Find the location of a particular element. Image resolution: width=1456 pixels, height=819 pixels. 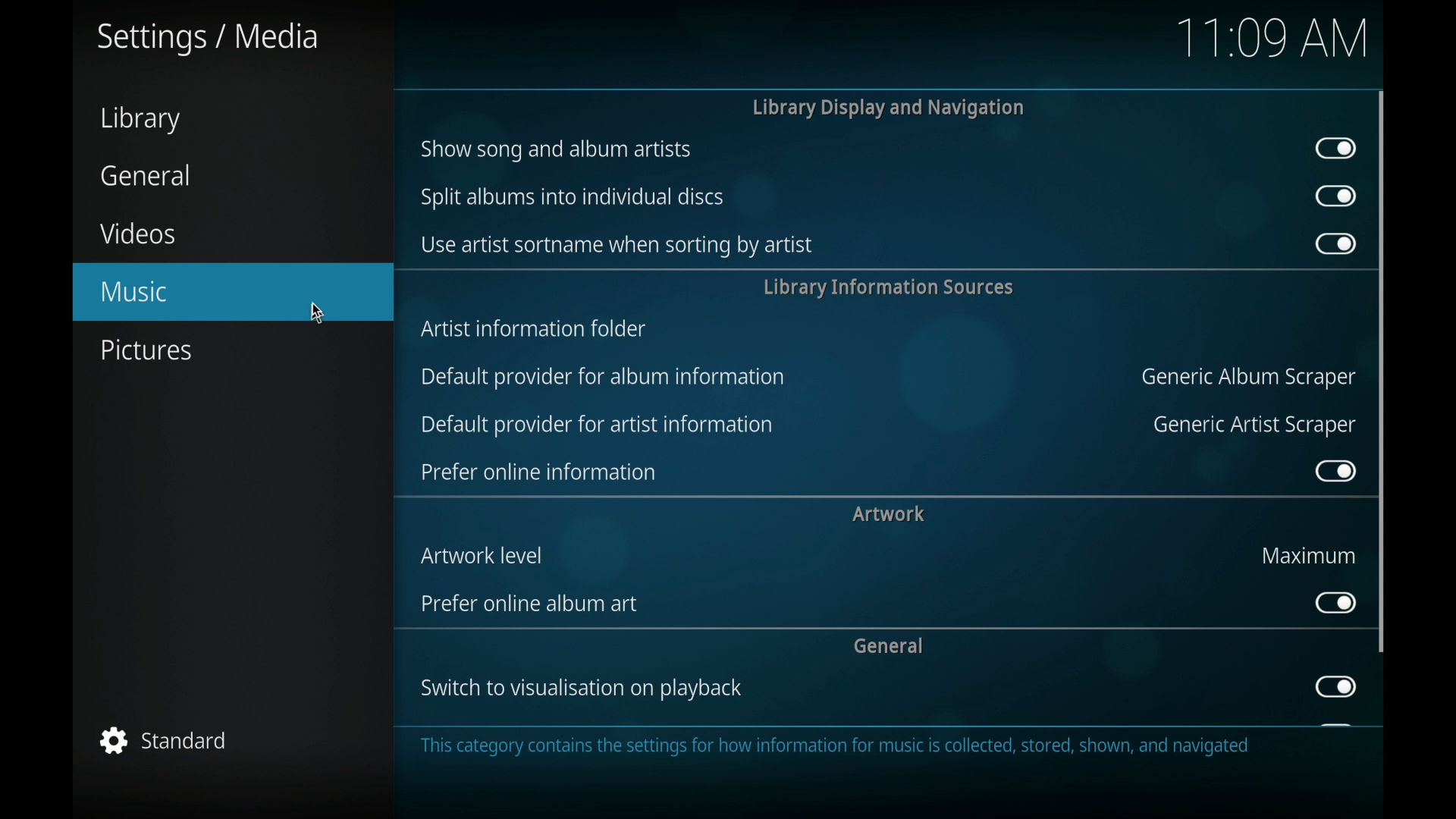

library is located at coordinates (143, 120).